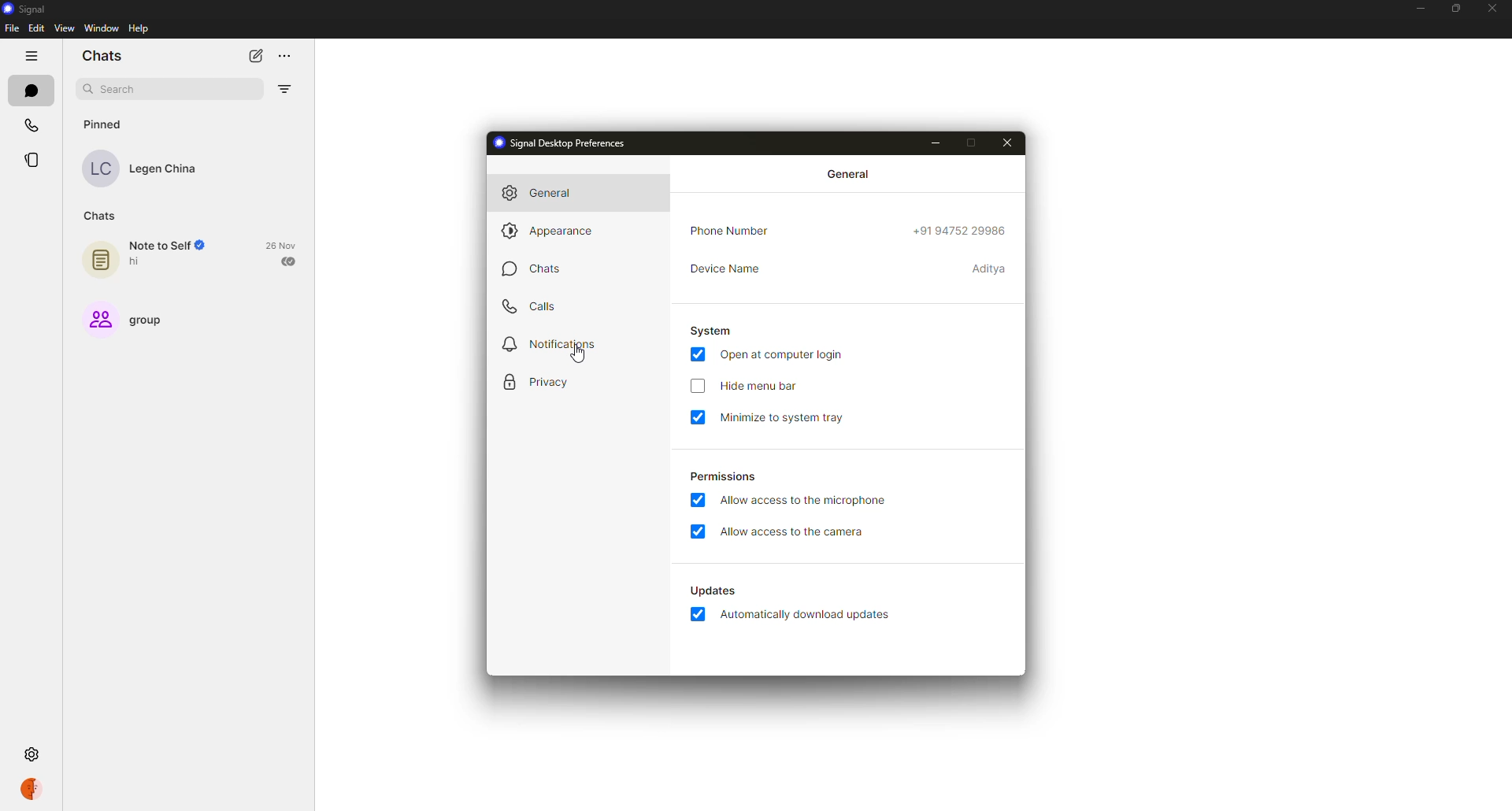 This screenshot has width=1512, height=811. What do you see at coordinates (697, 531) in the screenshot?
I see `enabled` at bounding box center [697, 531].